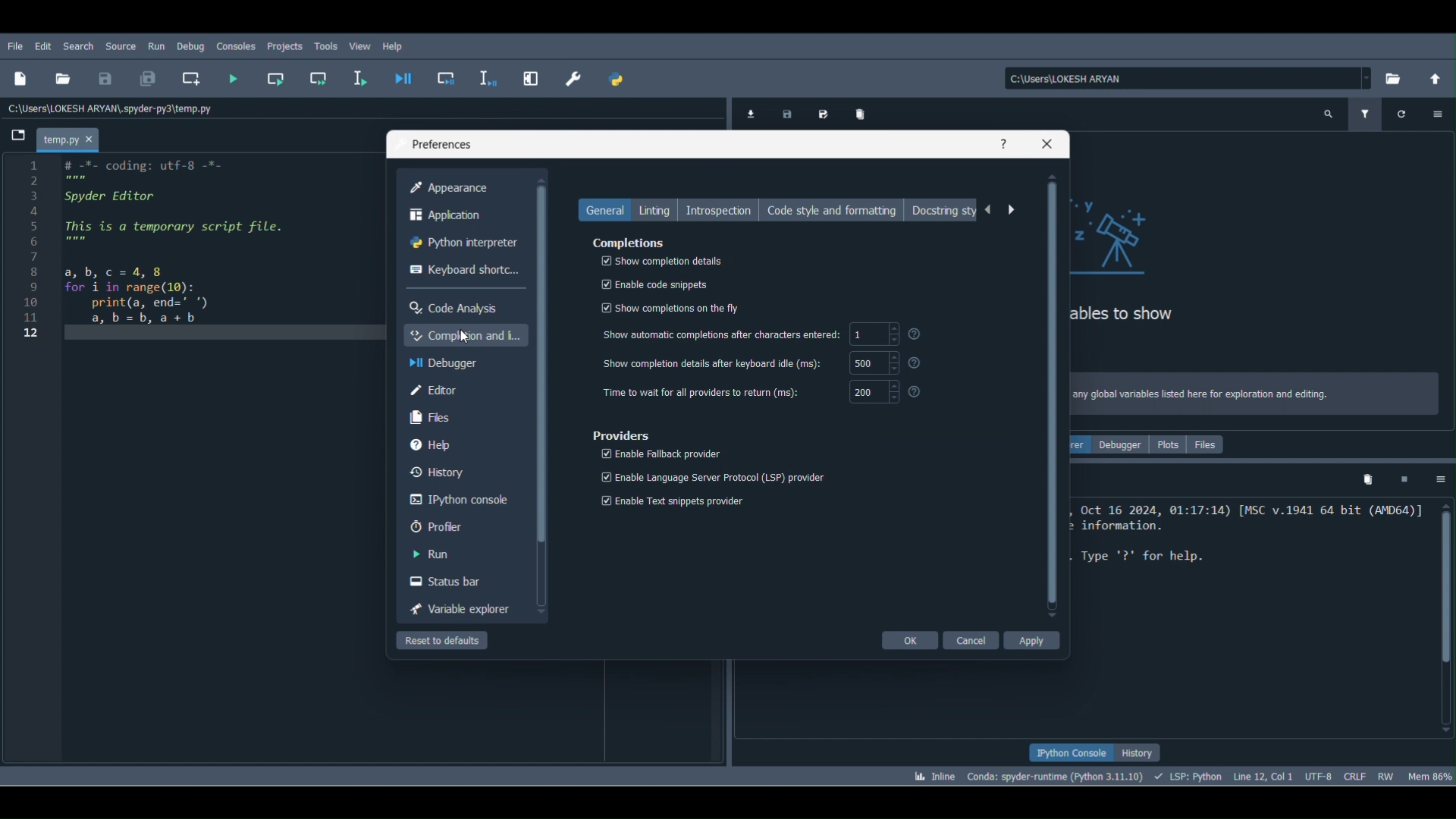  Describe the element at coordinates (235, 46) in the screenshot. I see `Consoles` at that location.